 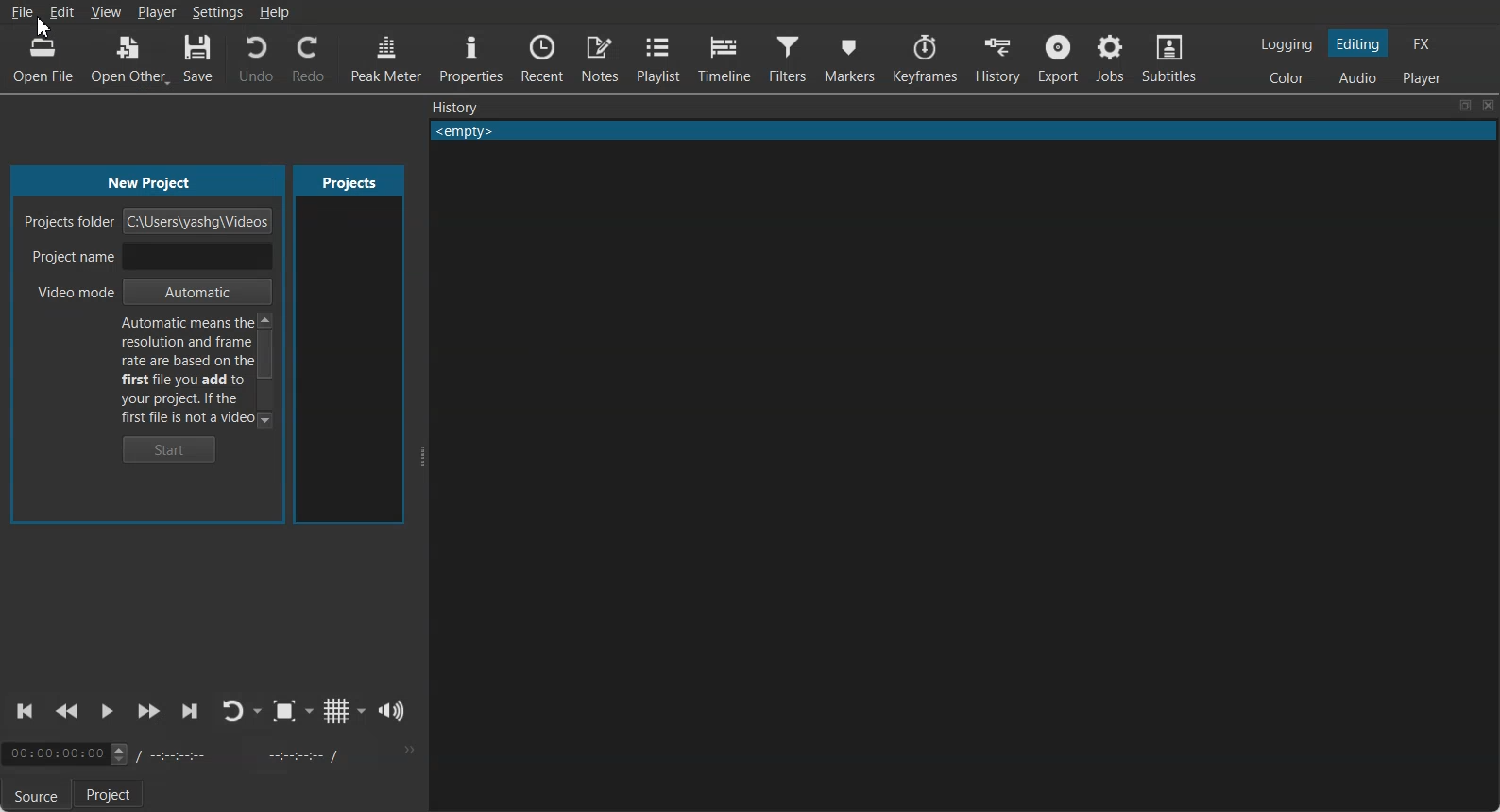 I want to click on Player, so click(x=159, y=13).